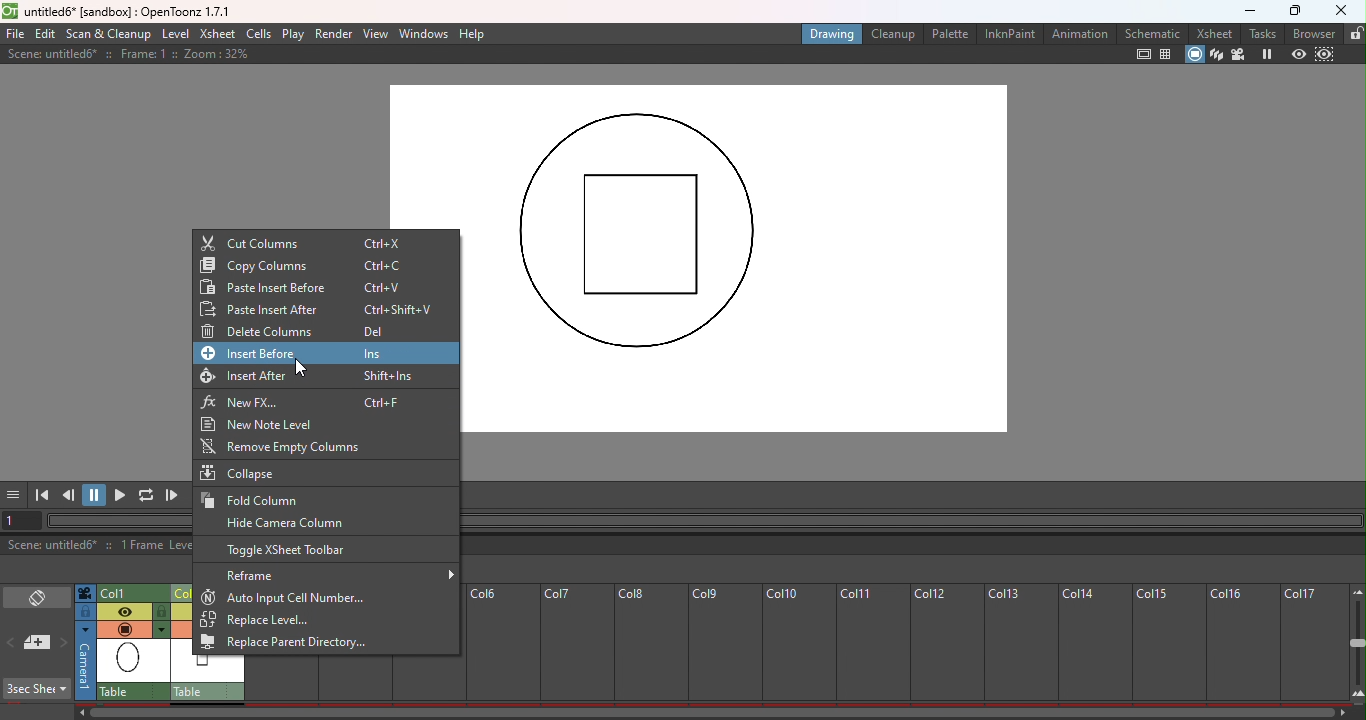 The height and width of the screenshot is (720, 1366). Describe the element at coordinates (296, 34) in the screenshot. I see `Play` at that location.